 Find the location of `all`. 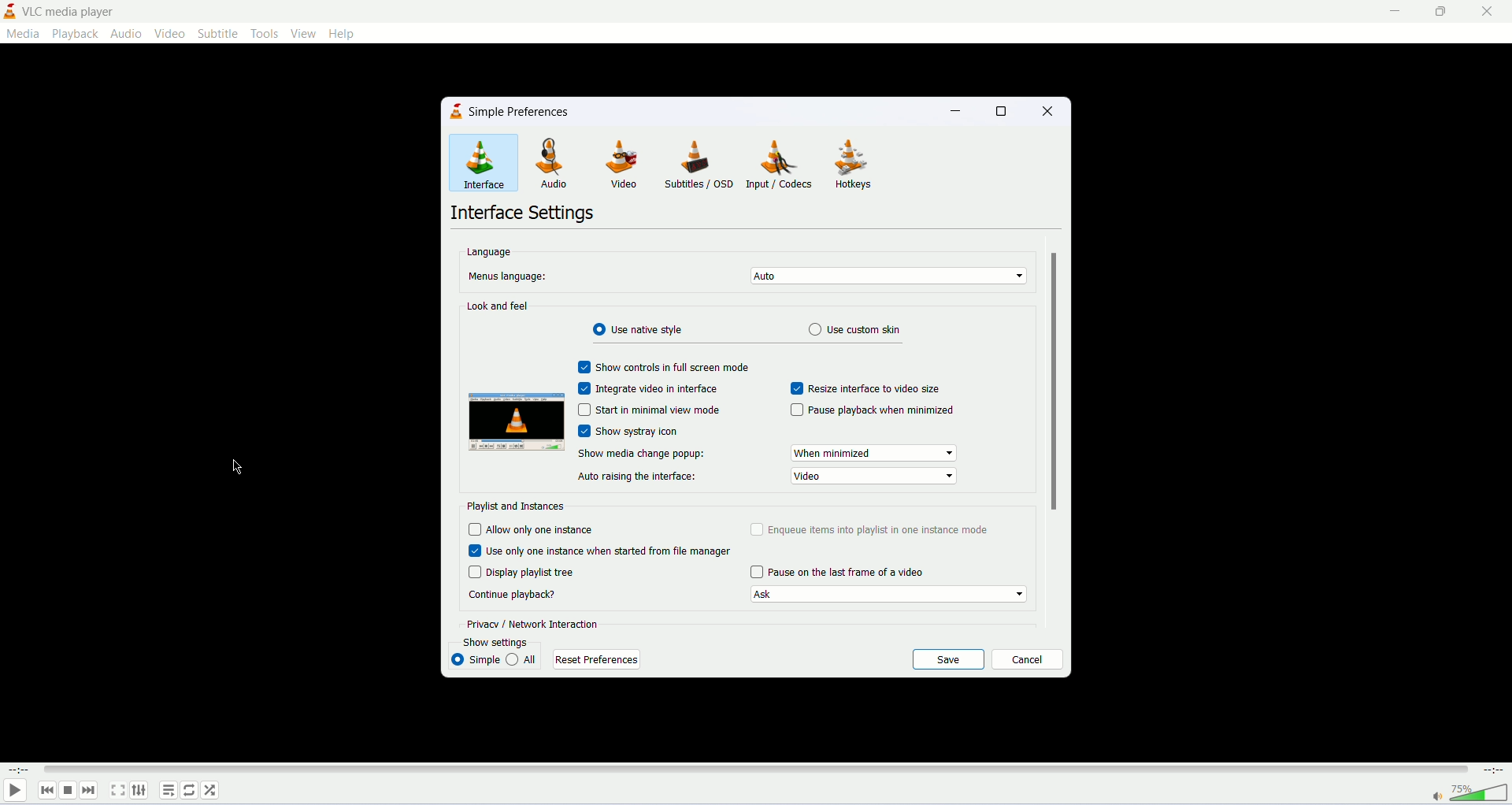

all is located at coordinates (524, 660).